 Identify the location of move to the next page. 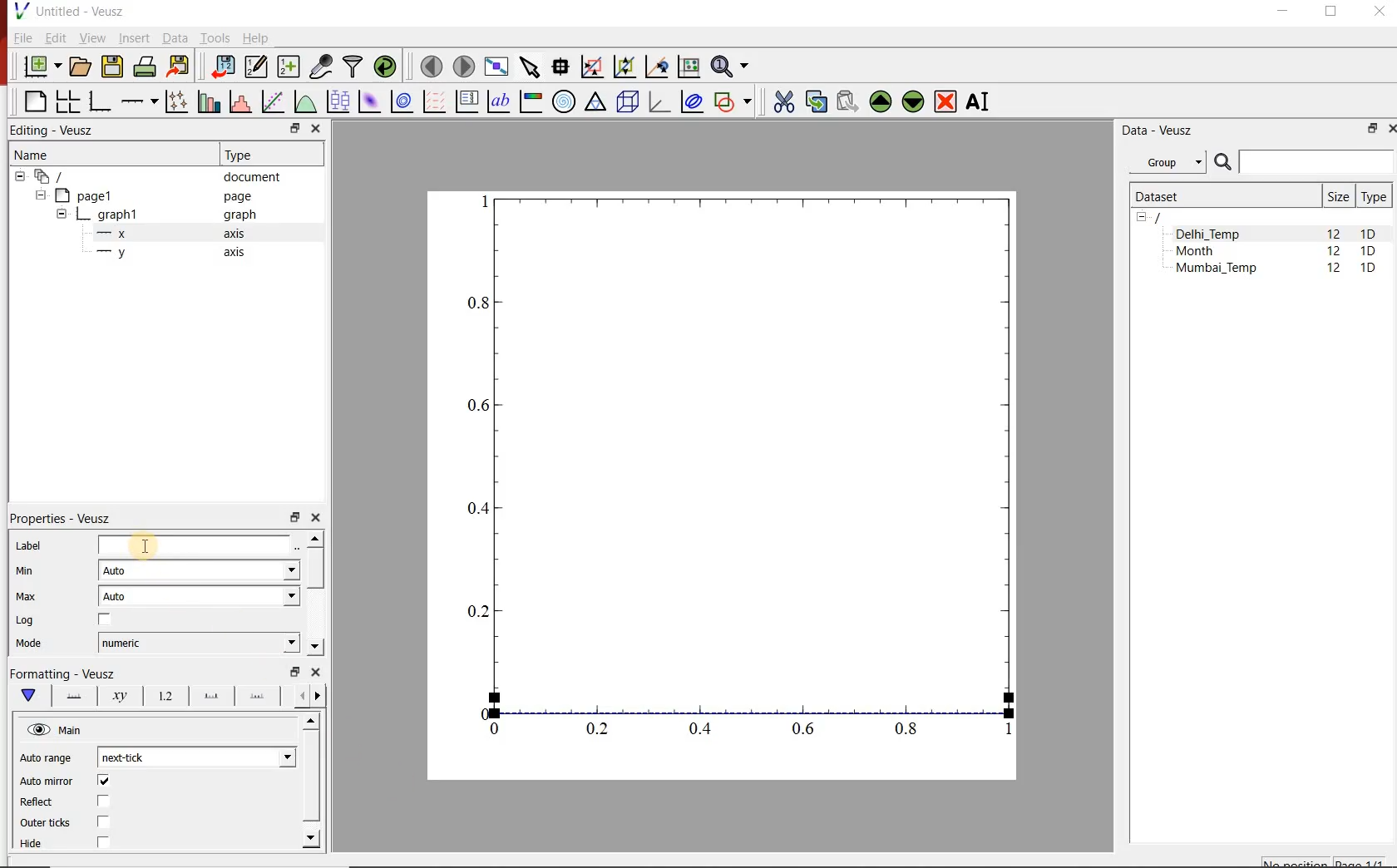
(464, 67).